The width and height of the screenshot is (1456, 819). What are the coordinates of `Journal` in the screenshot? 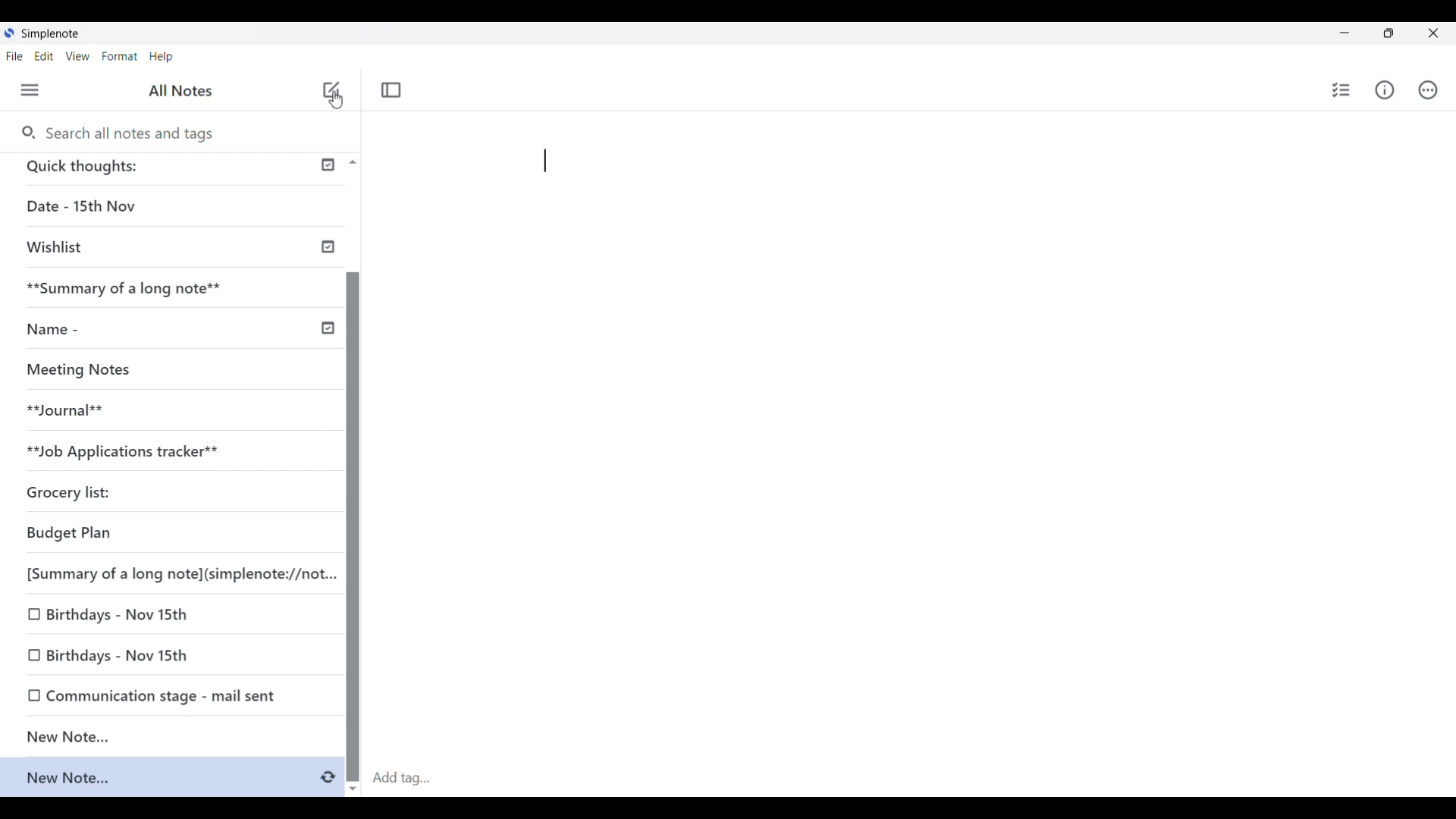 It's located at (85, 409).